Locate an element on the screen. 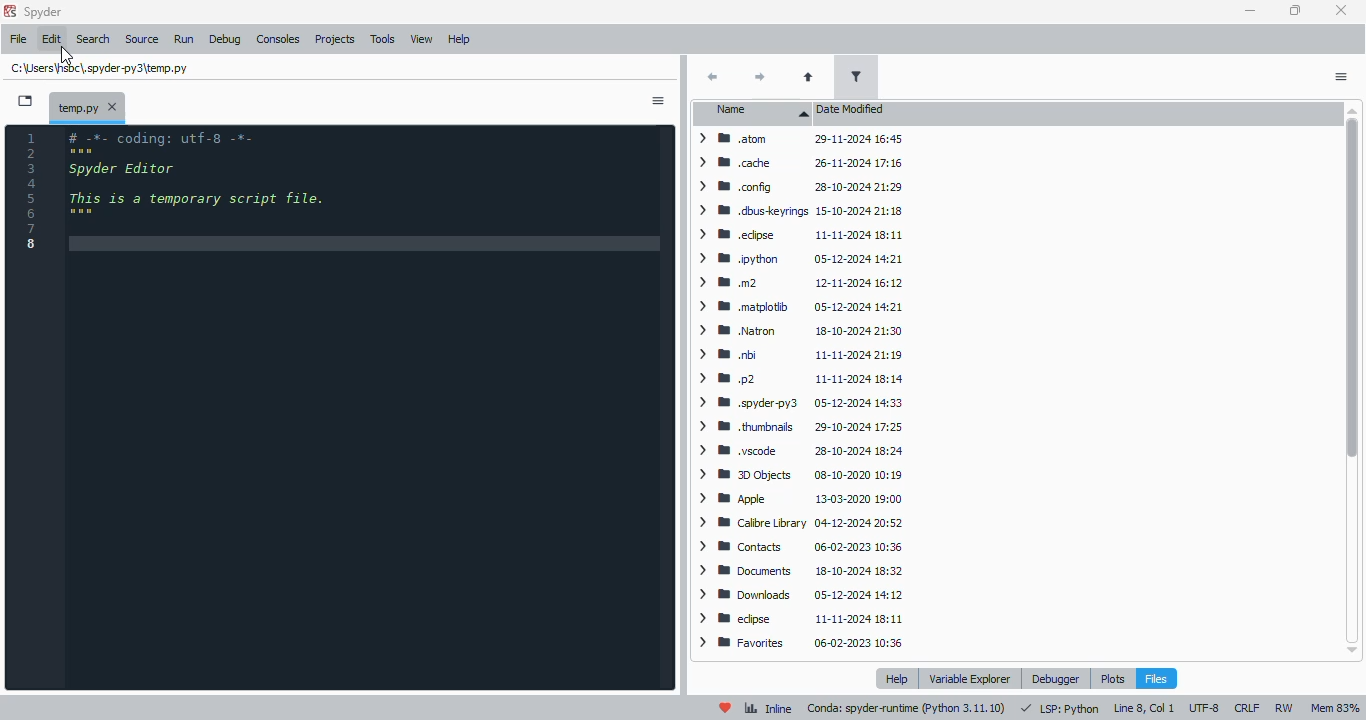 Image resolution: width=1366 pixels, height=720 pixels. debug is located at coordinates (225, 40).